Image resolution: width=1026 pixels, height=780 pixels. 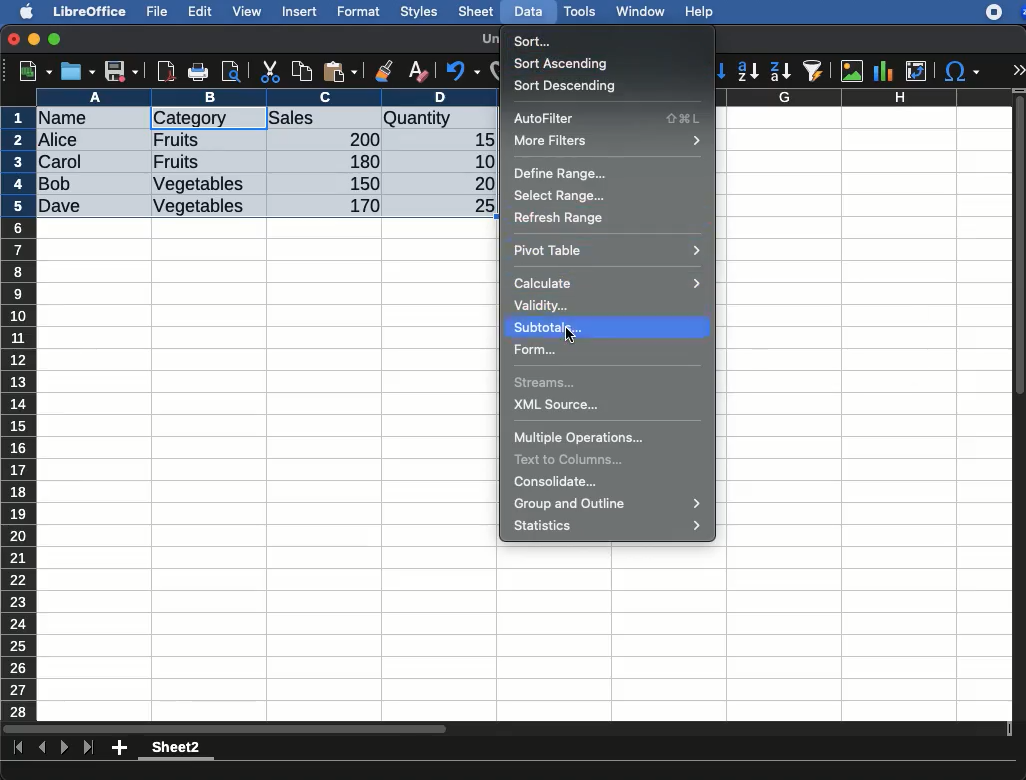 What do you see at coordinates (781, 72) in the screenshot?
I see `descending` at bounding box center [781, 72].